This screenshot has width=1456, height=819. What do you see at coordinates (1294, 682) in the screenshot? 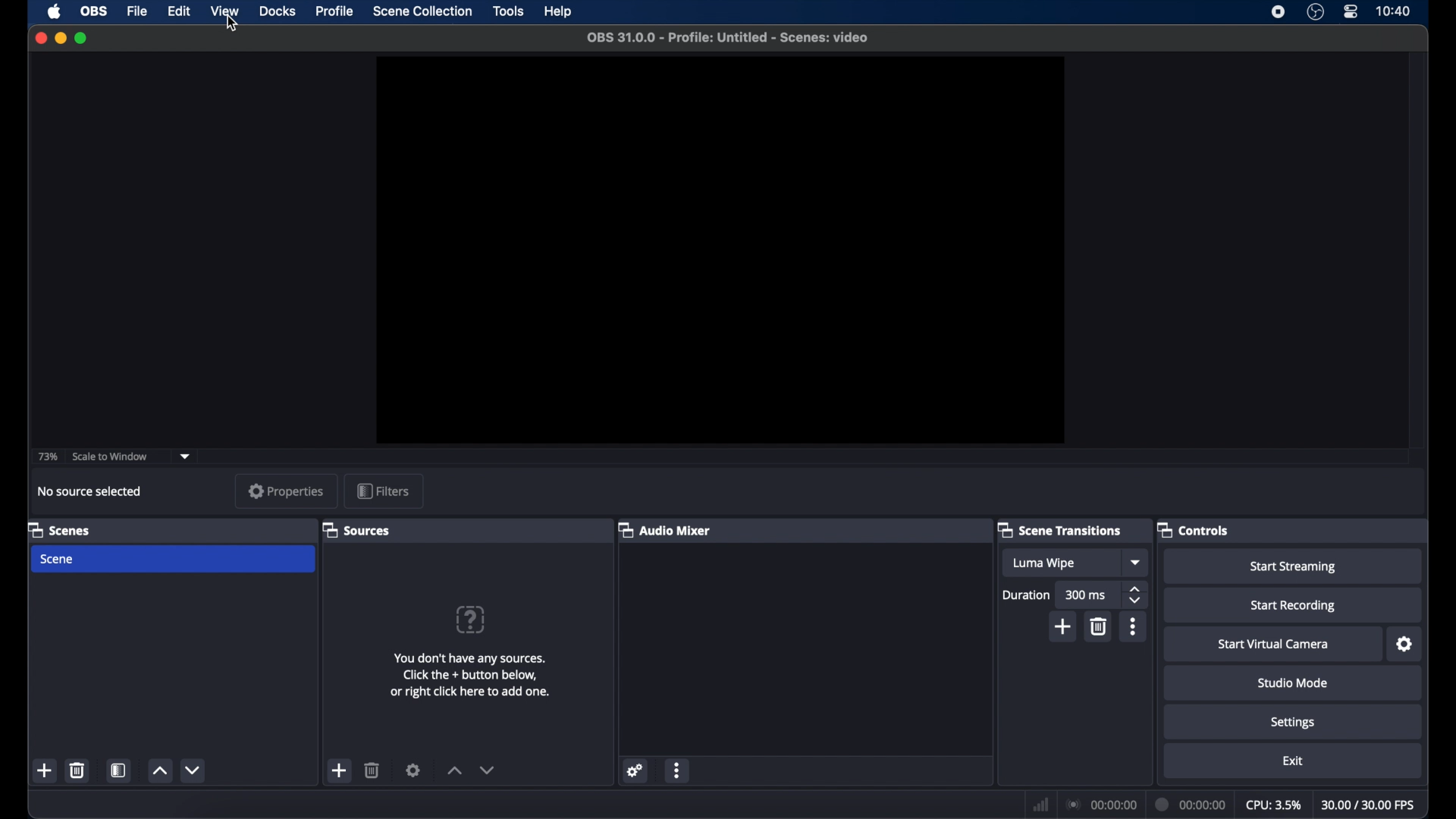
I see `studiomode` at bounding box center [1294, 682].